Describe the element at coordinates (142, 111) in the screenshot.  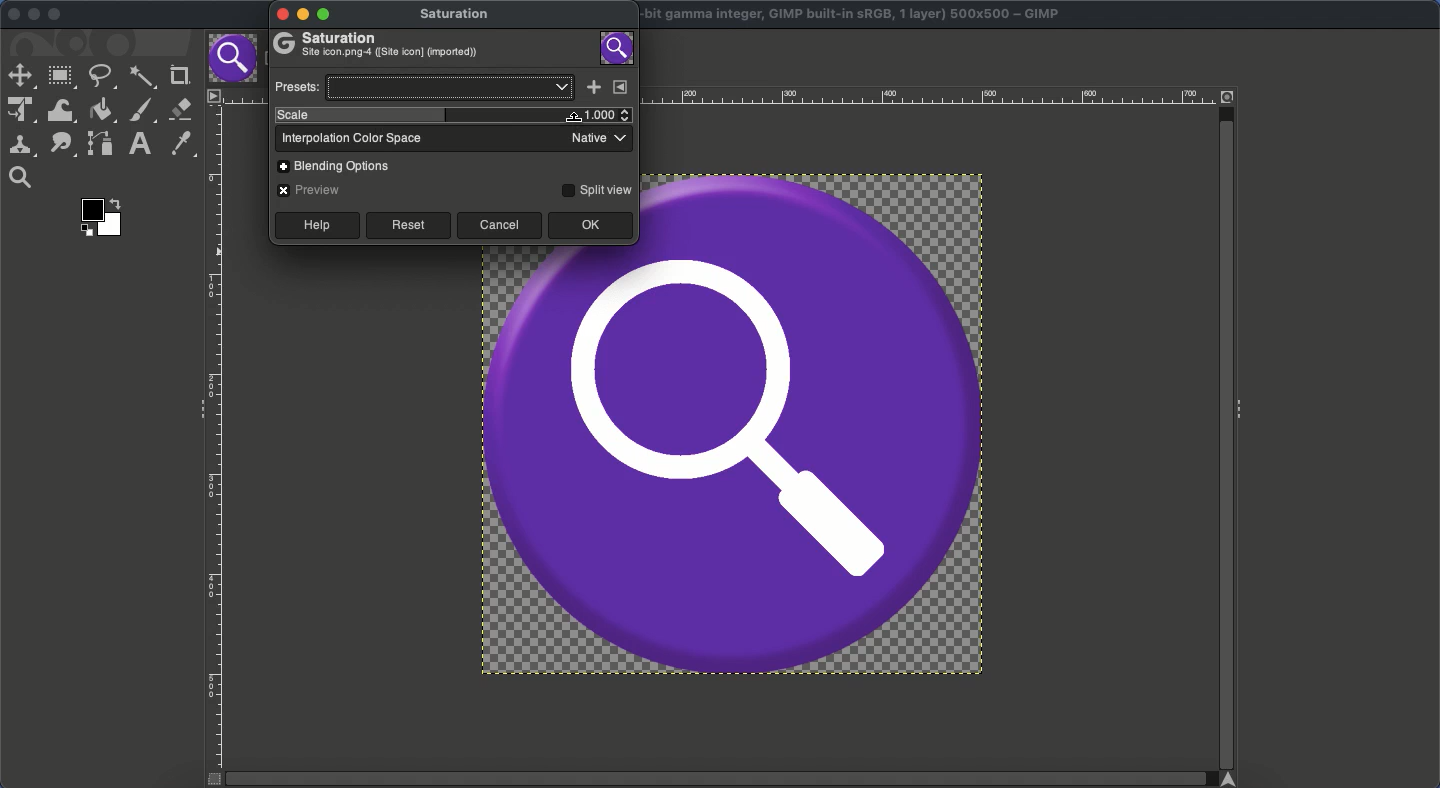
I see `Paint` at that location.